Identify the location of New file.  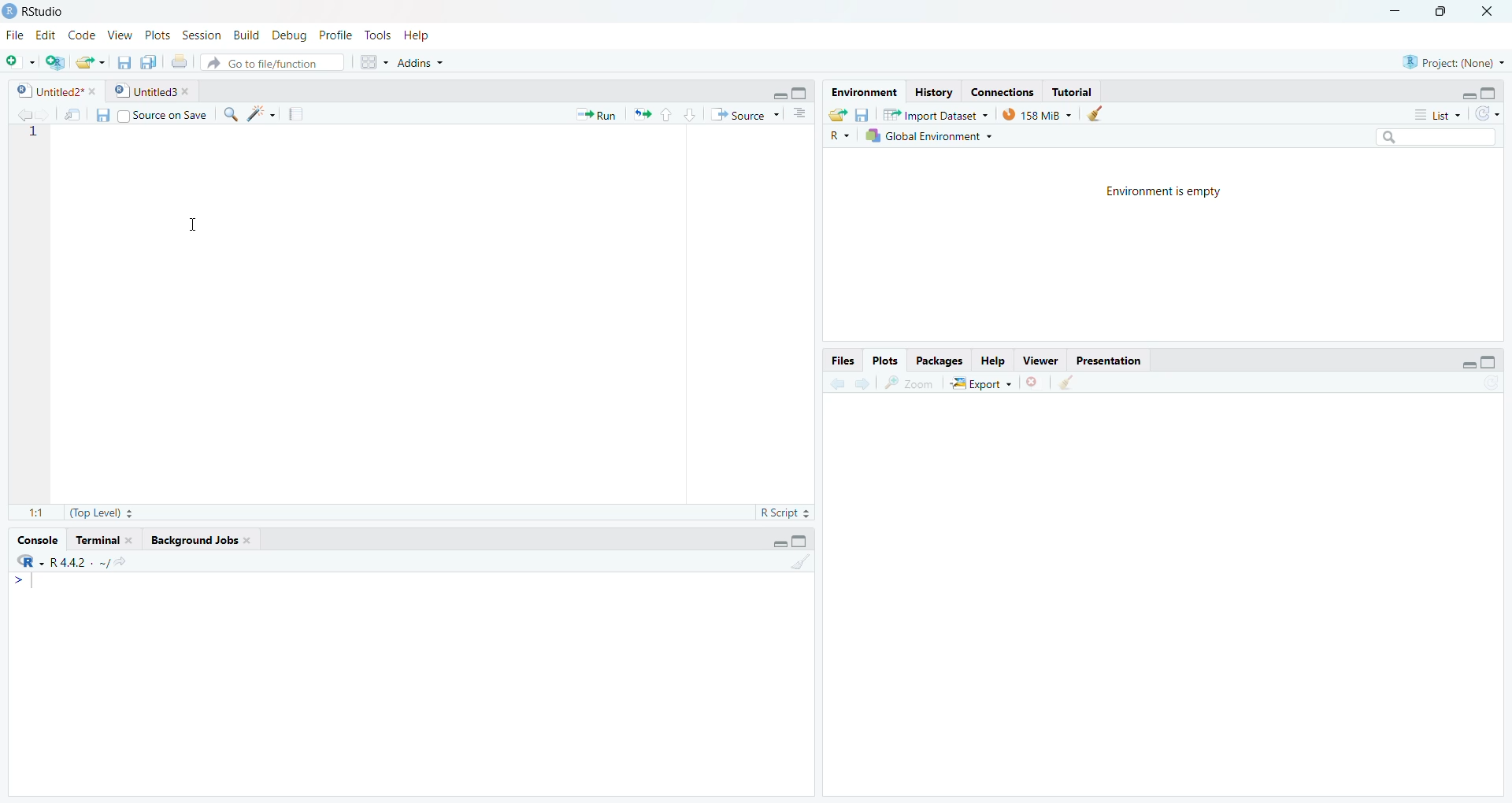
(17, 58).